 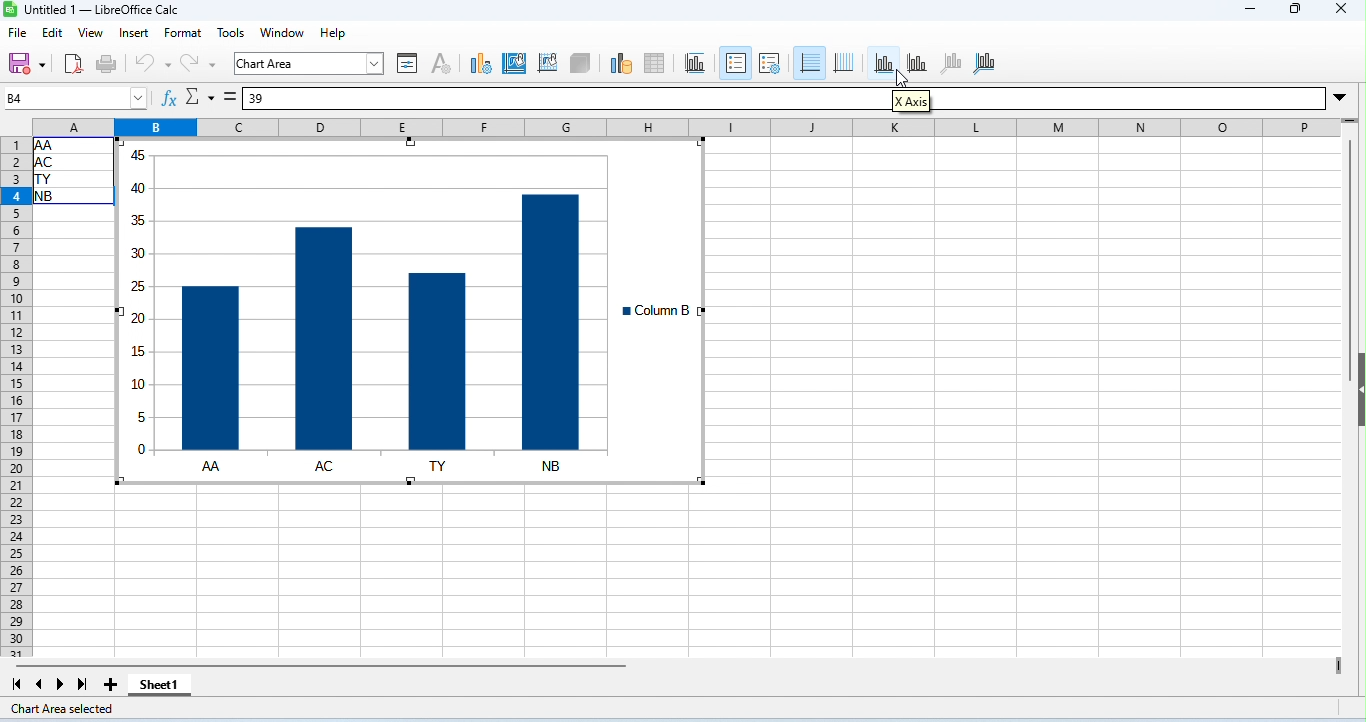 I want to click on y axis, so click(x=919, y=62).